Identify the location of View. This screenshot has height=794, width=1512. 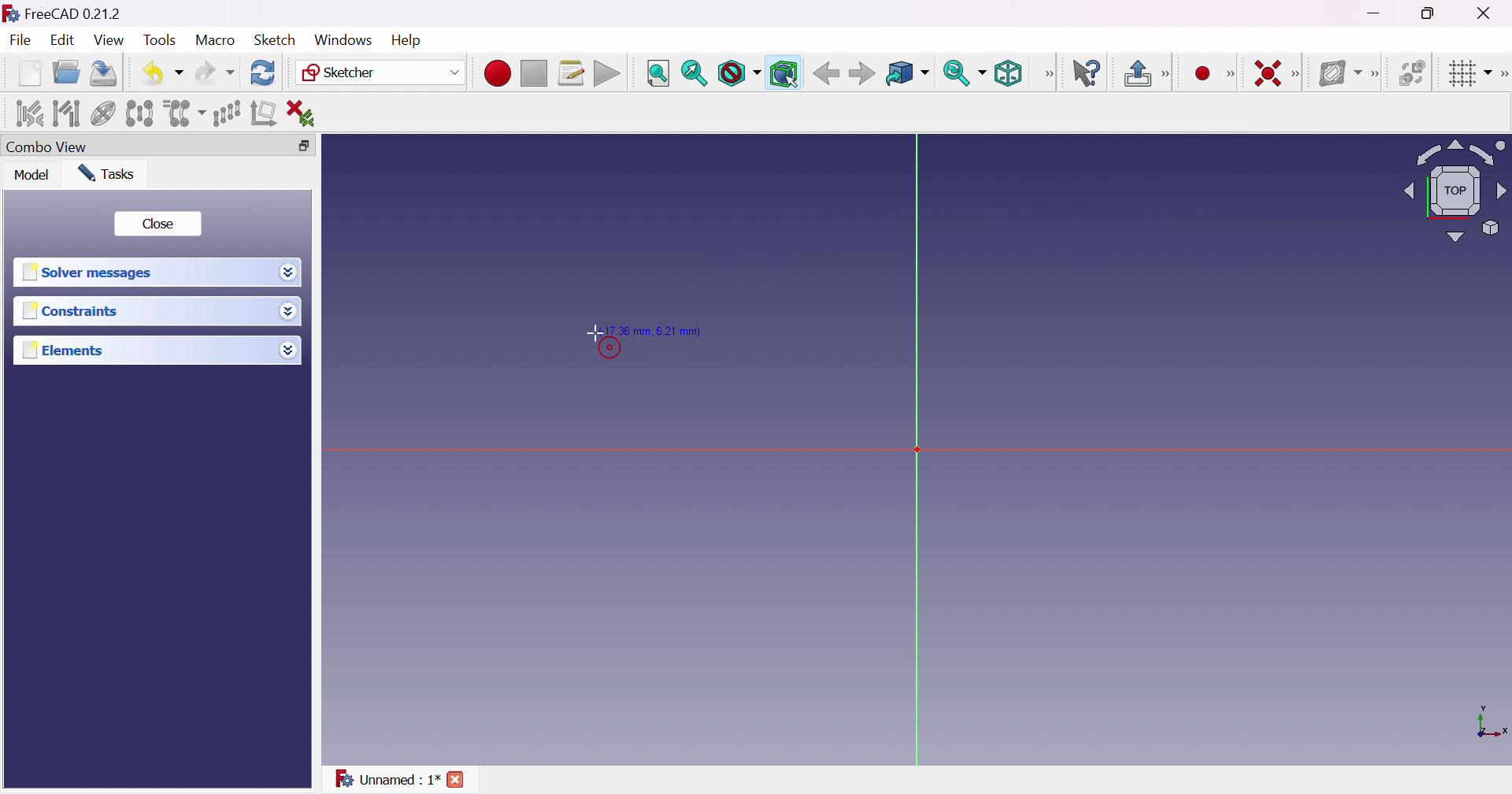
(108, 39).